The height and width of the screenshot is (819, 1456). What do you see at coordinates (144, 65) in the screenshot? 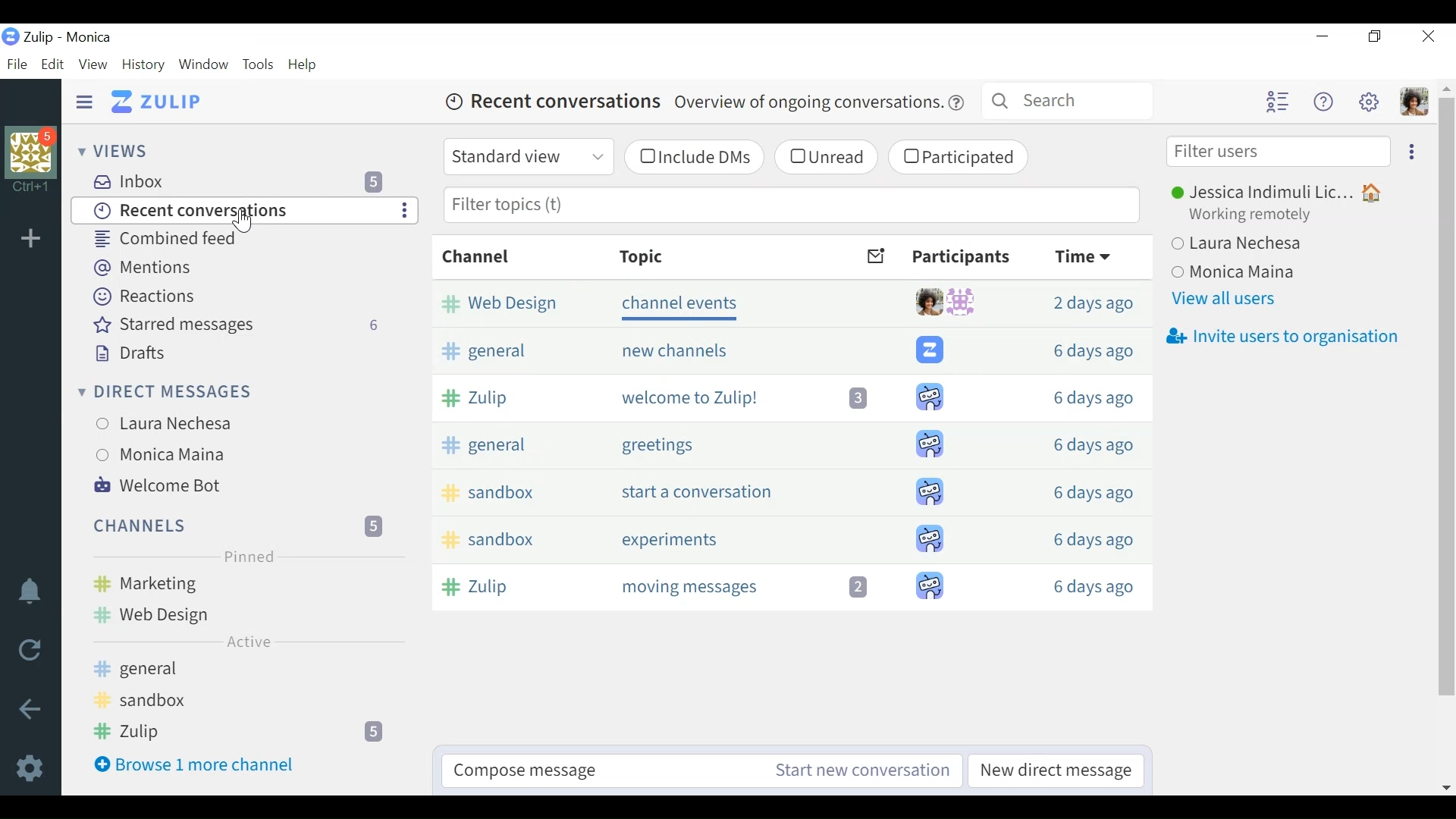
I see `History` at bounding box center [144, 65].